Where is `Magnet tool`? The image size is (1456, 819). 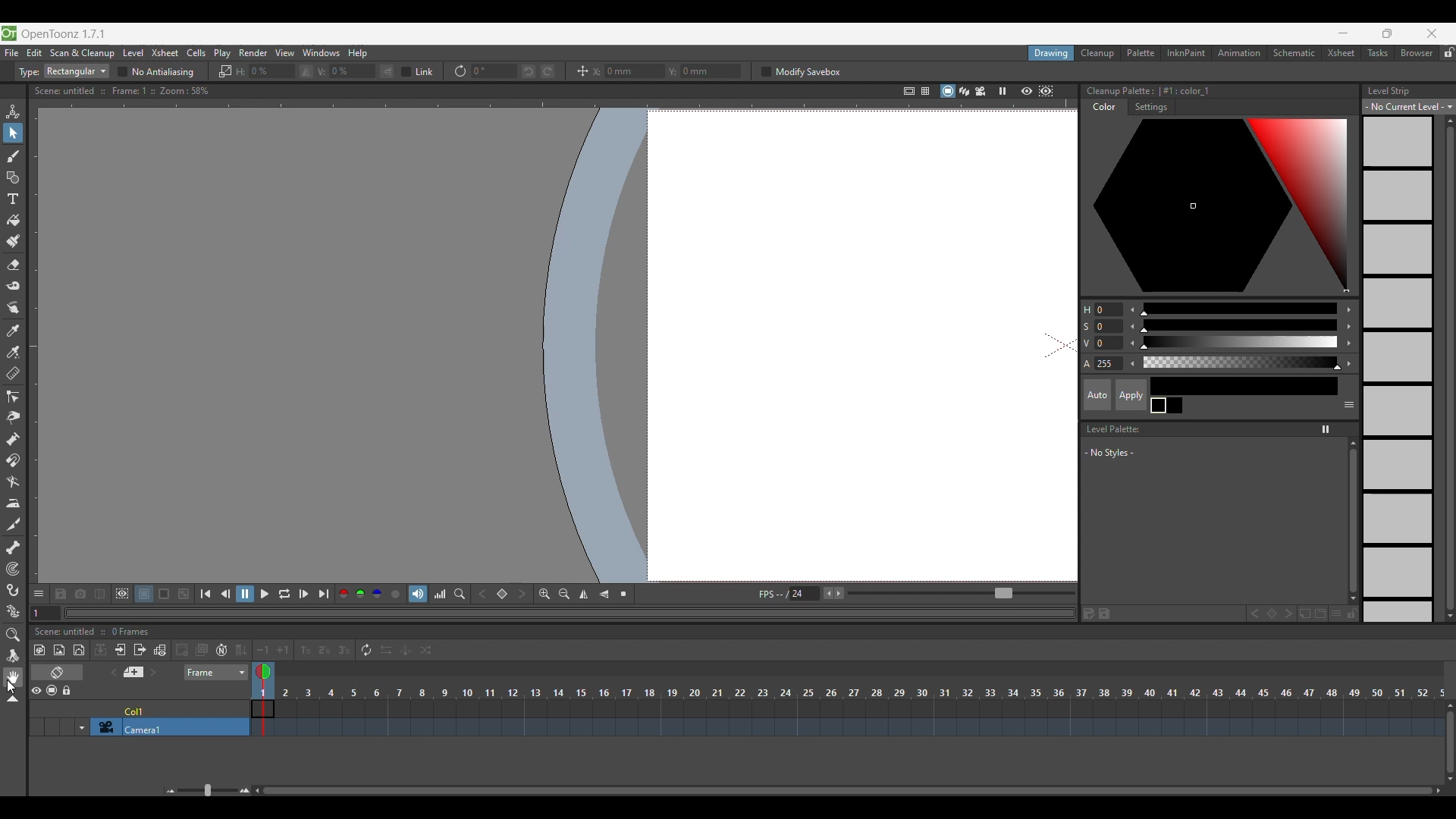
Magnet tool is located at coordinates (13, 460).